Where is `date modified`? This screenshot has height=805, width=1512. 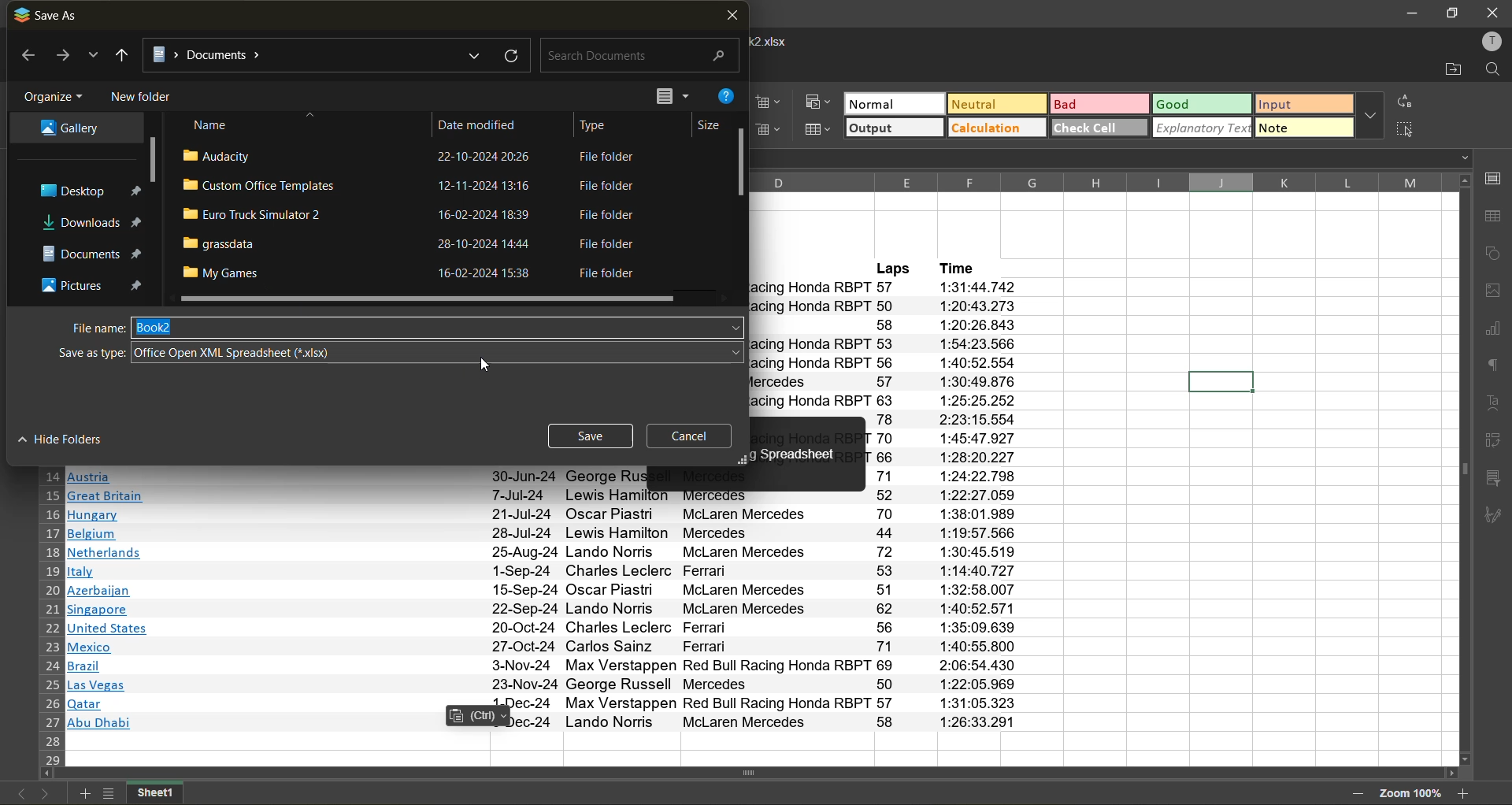
date modified is located at coordinates (487, 122).